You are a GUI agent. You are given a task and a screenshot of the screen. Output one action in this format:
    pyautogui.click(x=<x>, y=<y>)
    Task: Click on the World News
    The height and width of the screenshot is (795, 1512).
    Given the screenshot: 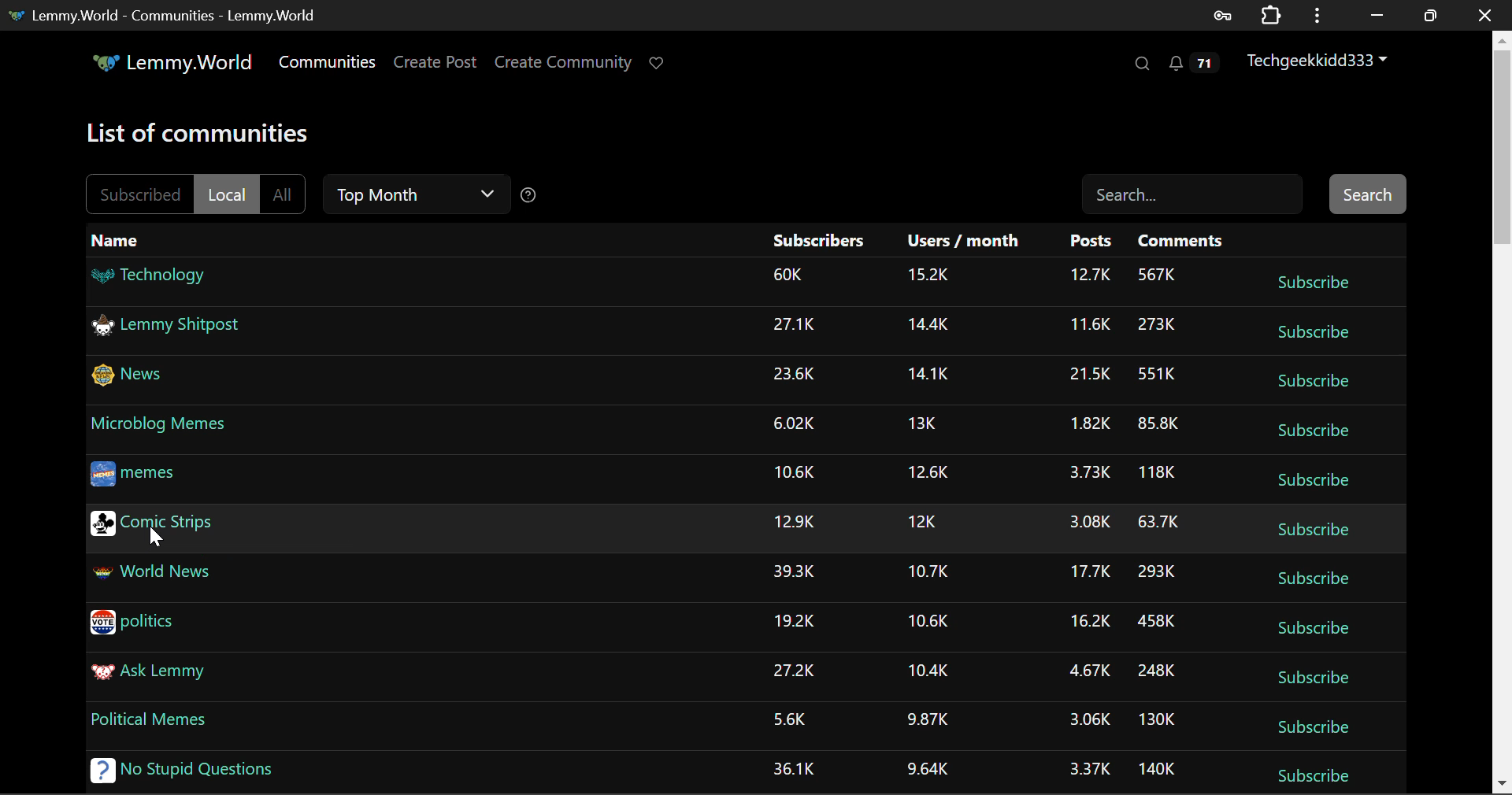 What is the action you would take?
    pyautogui.click(x=150, y=574)
    